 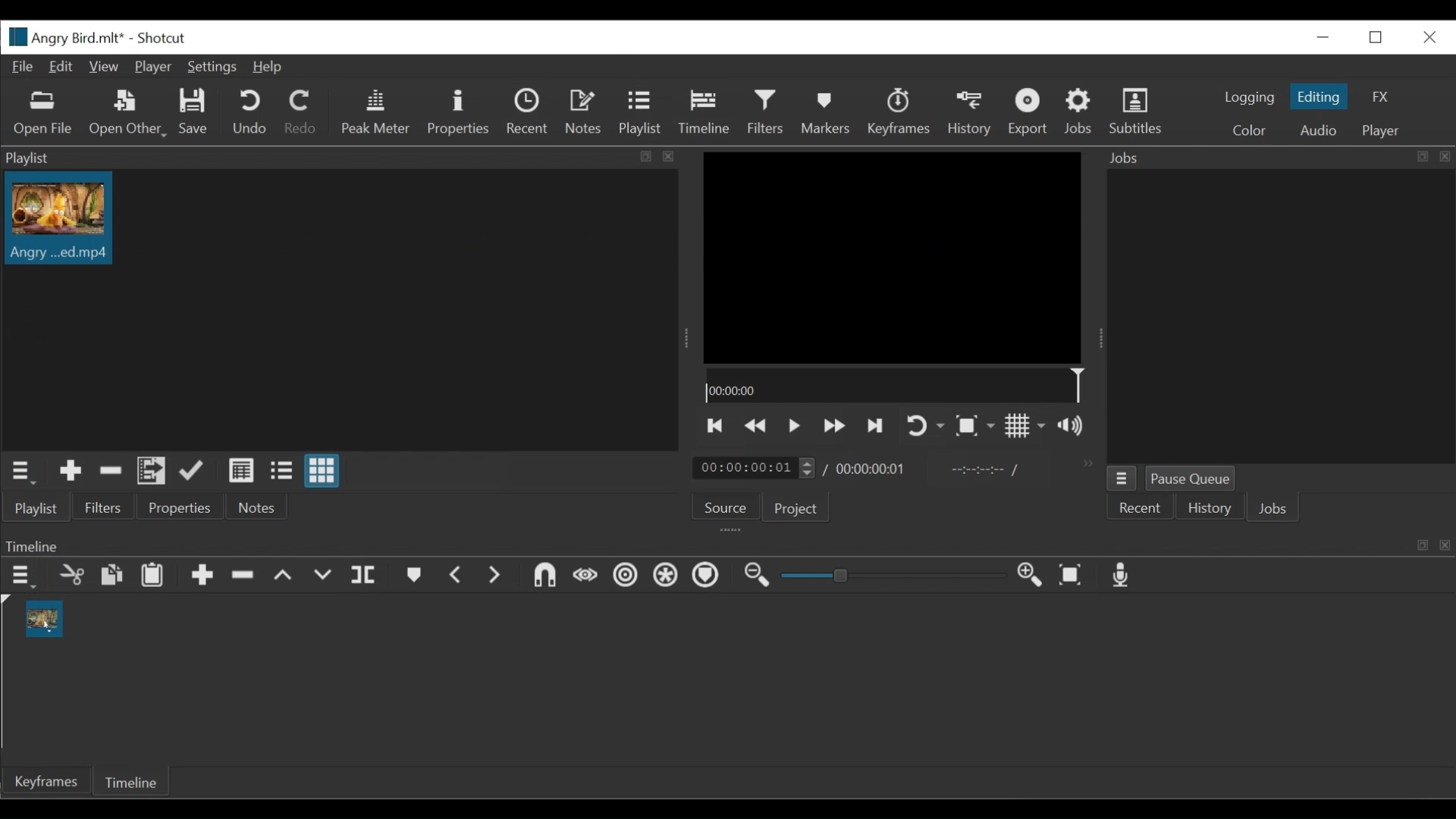 I want to click on Paste, so click(x=152, y=573).